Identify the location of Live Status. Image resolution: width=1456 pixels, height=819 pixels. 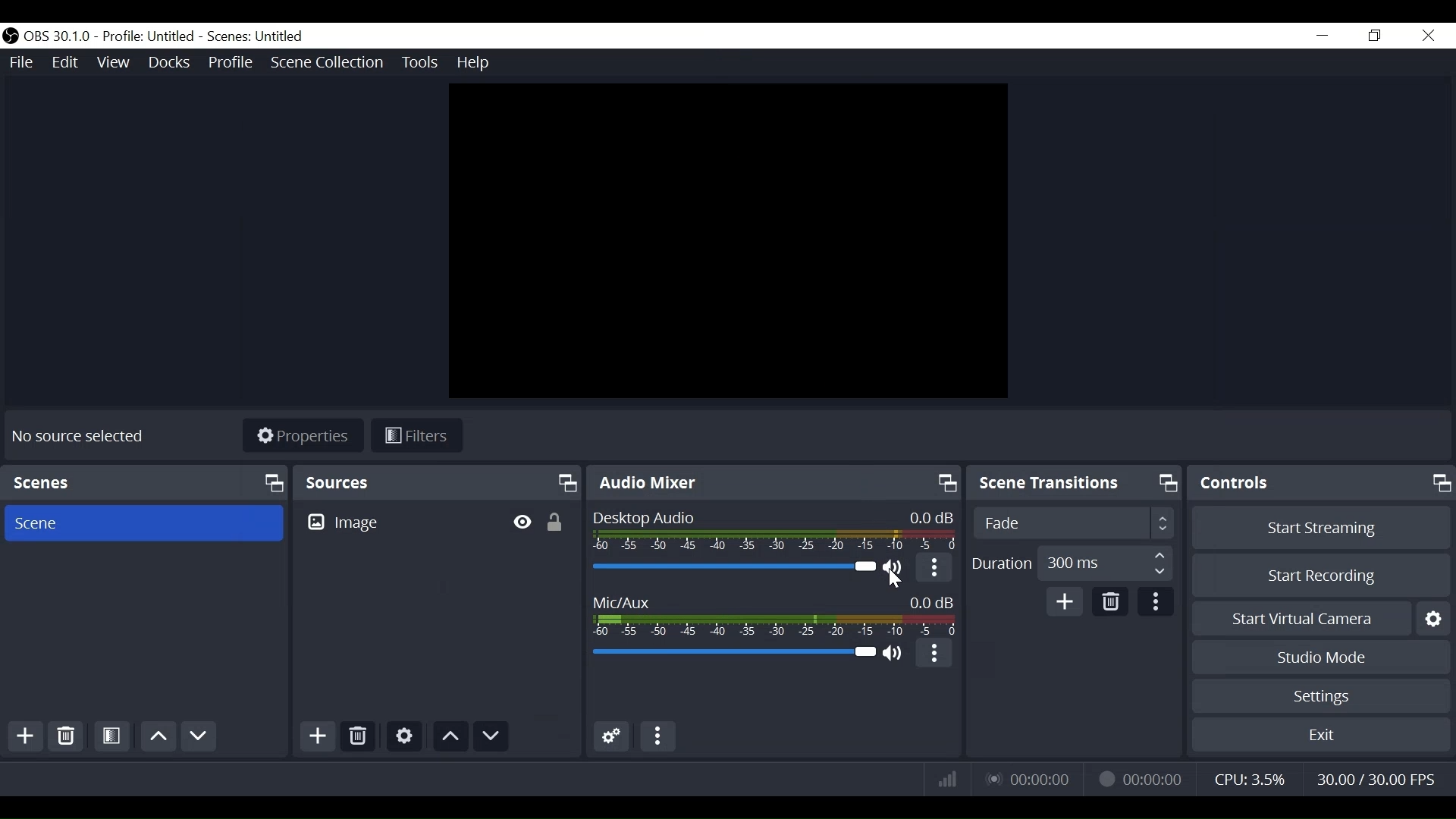
(1022, 777).